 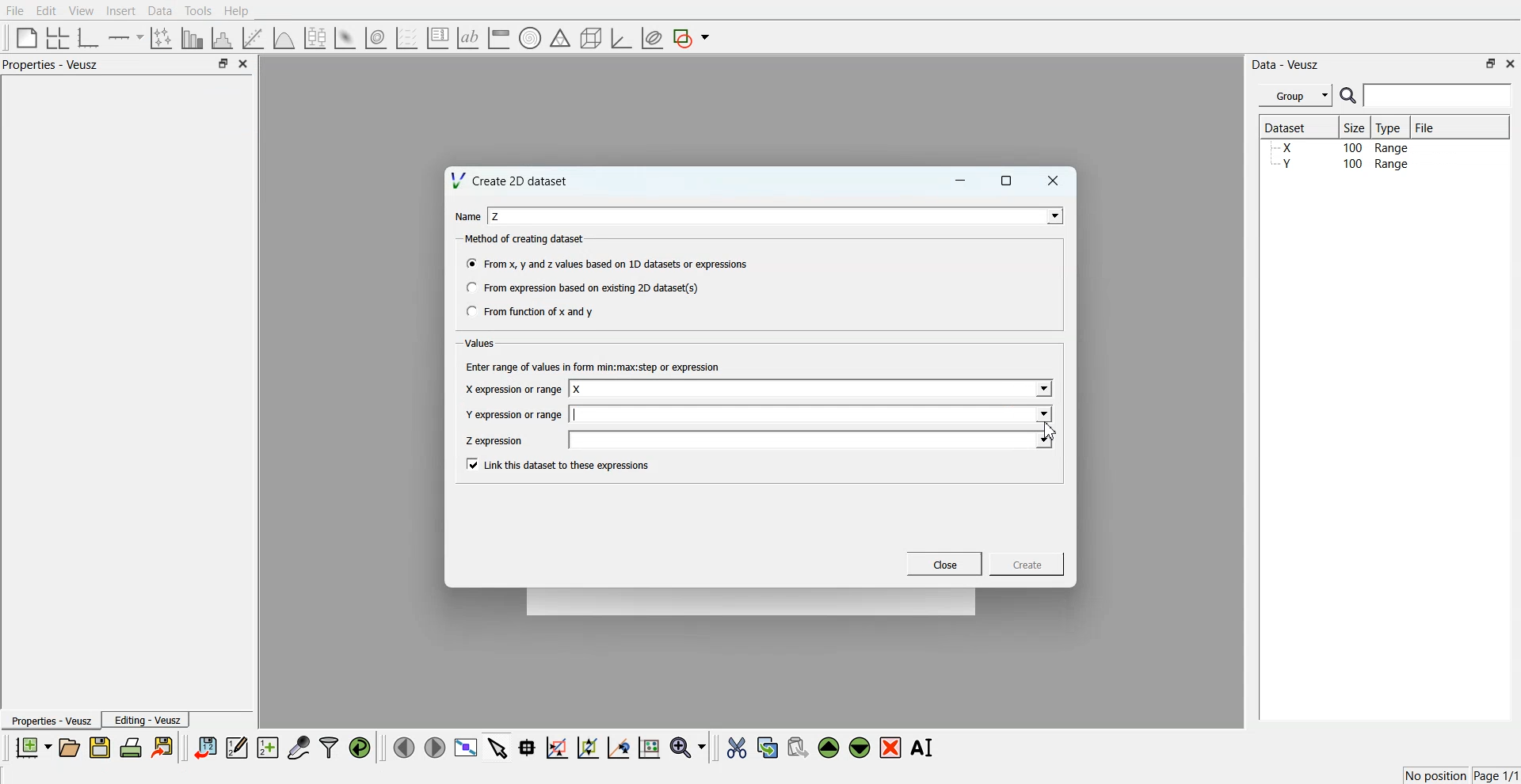 I want to click on Remove the selected widget, so click(x=890, y=748).